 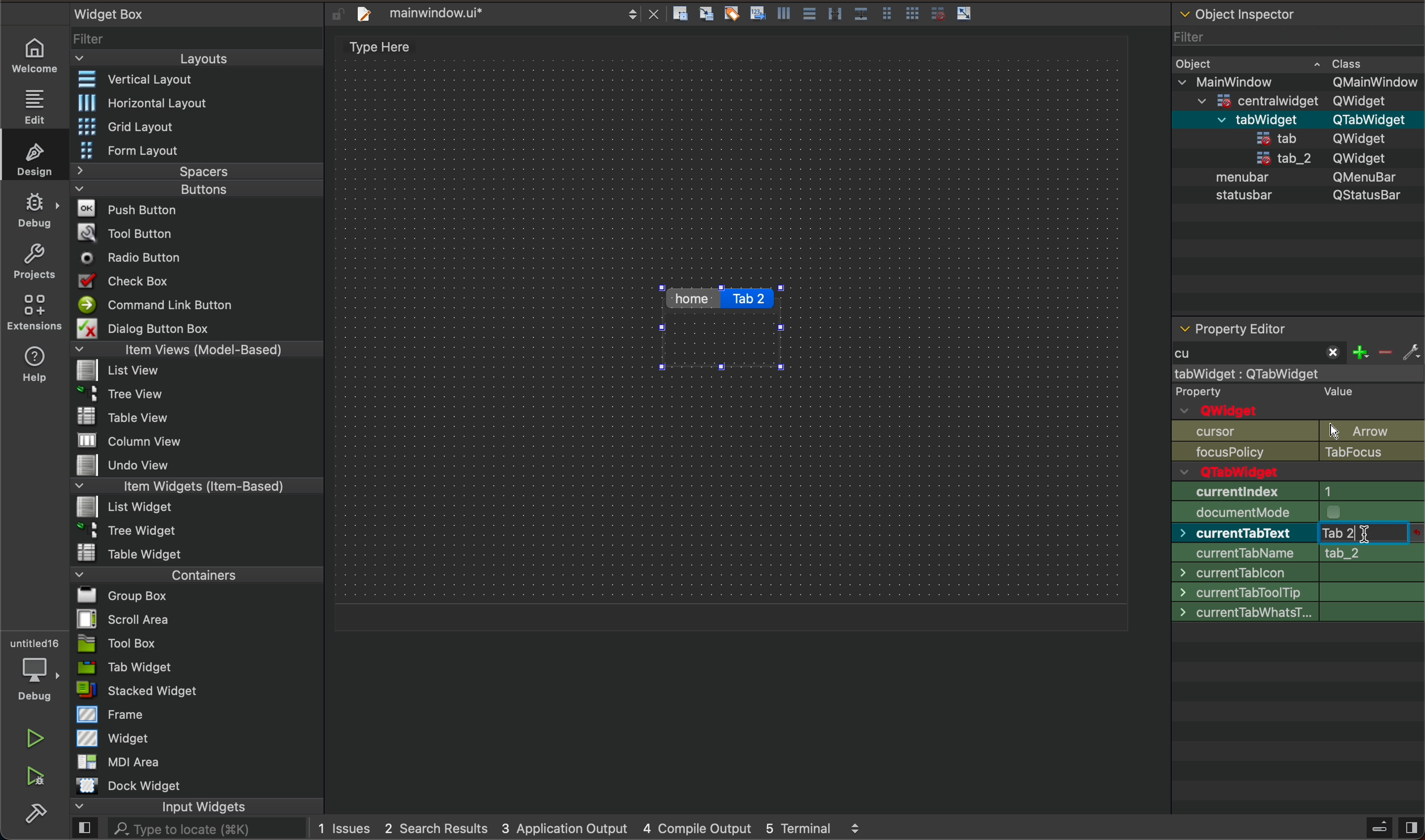 What do you see at coordinates (36, 103) in the screenshot?
I see `edit` at bounding box center [36, 103].